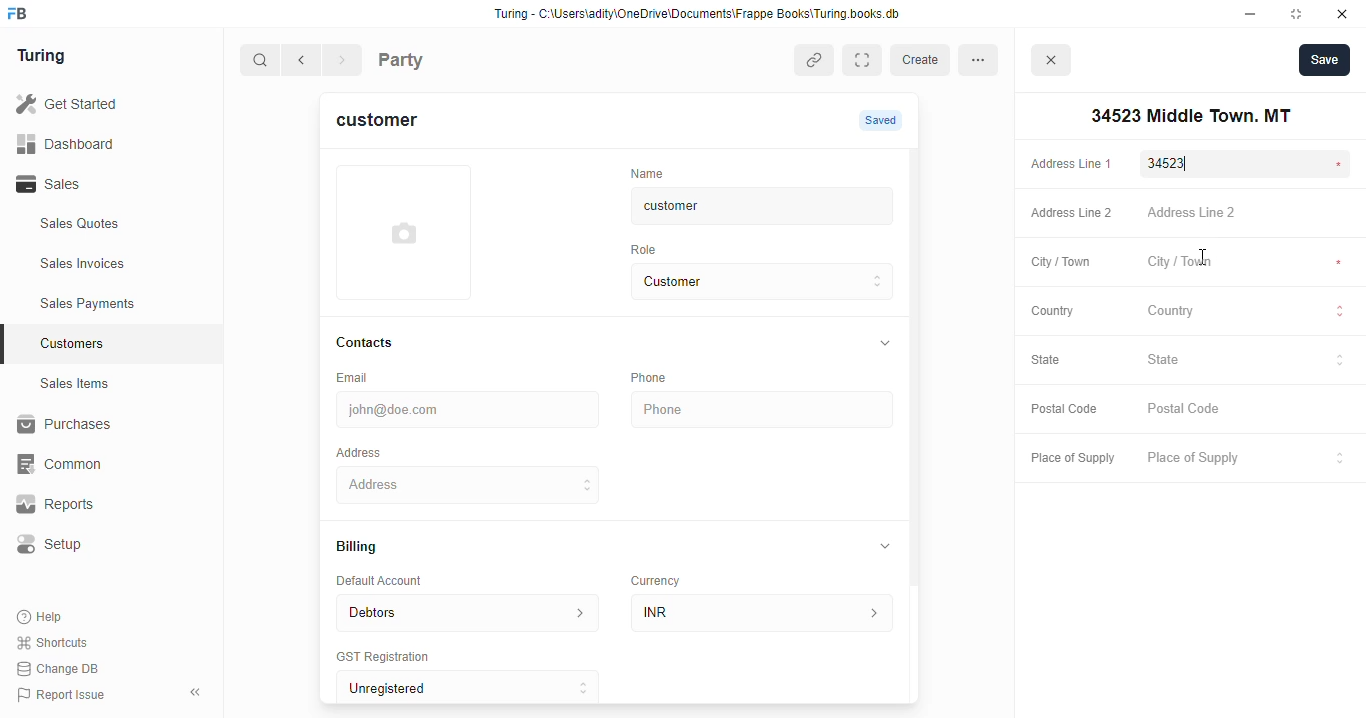 The height and width of the screenshot is (718, 1366). Describe the element at coordinates (650, 249) in the screenshot. I see `Role` at that location.